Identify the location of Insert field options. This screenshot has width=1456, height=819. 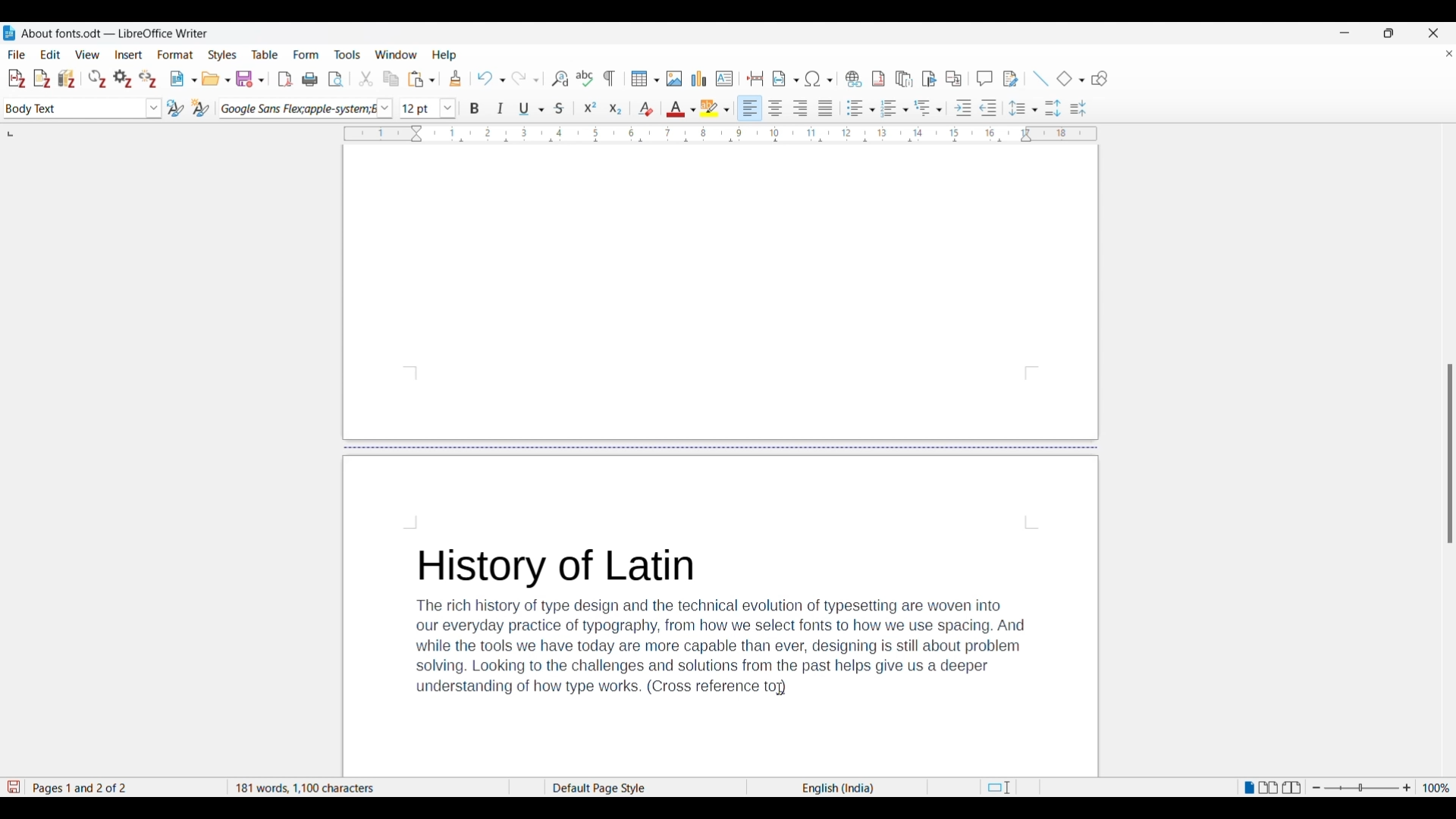
(786, 78).